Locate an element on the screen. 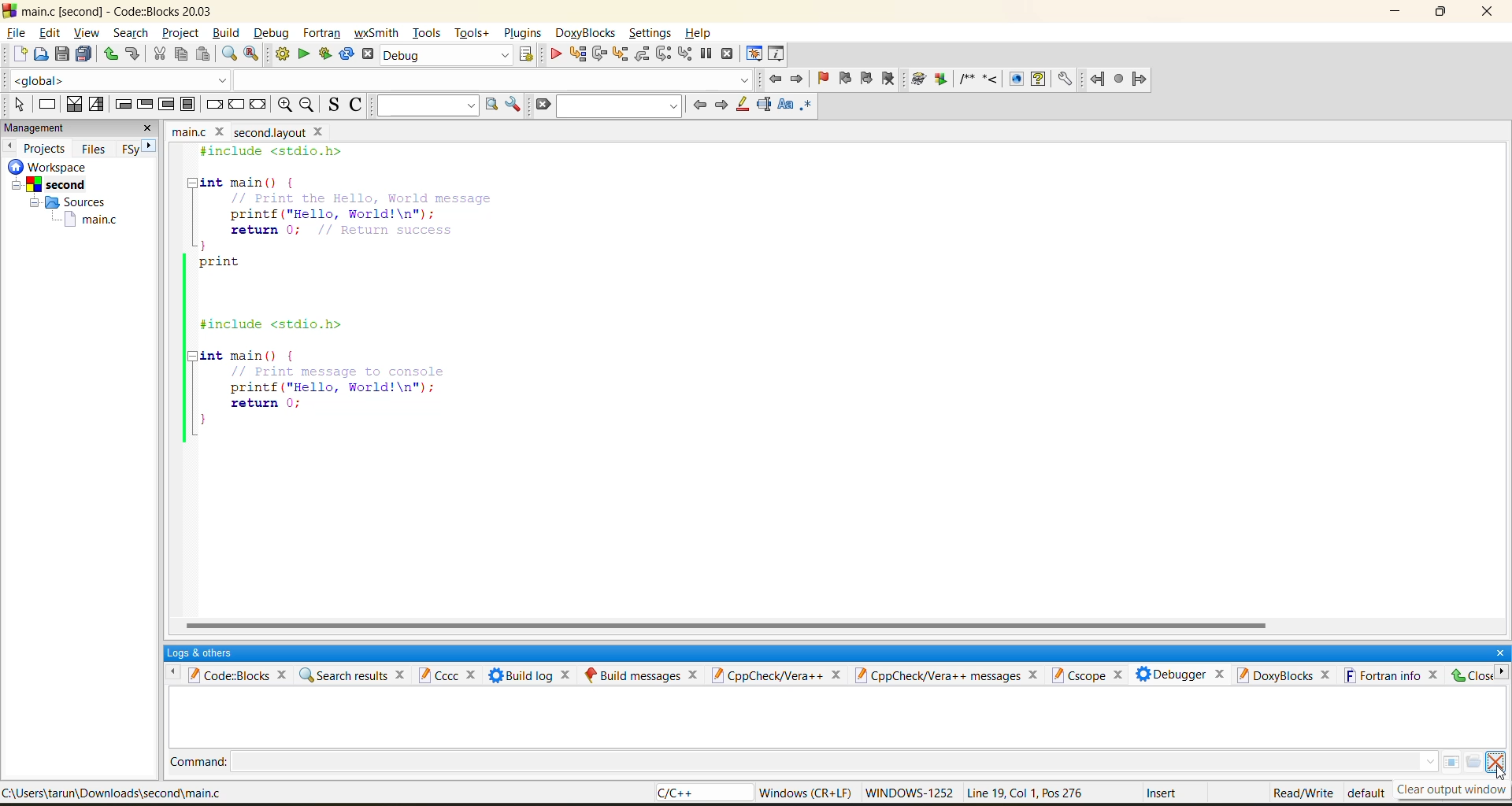 Image resolution: width=1512 pixels, height=806 pixels. project is located at coordinates (182, 33).